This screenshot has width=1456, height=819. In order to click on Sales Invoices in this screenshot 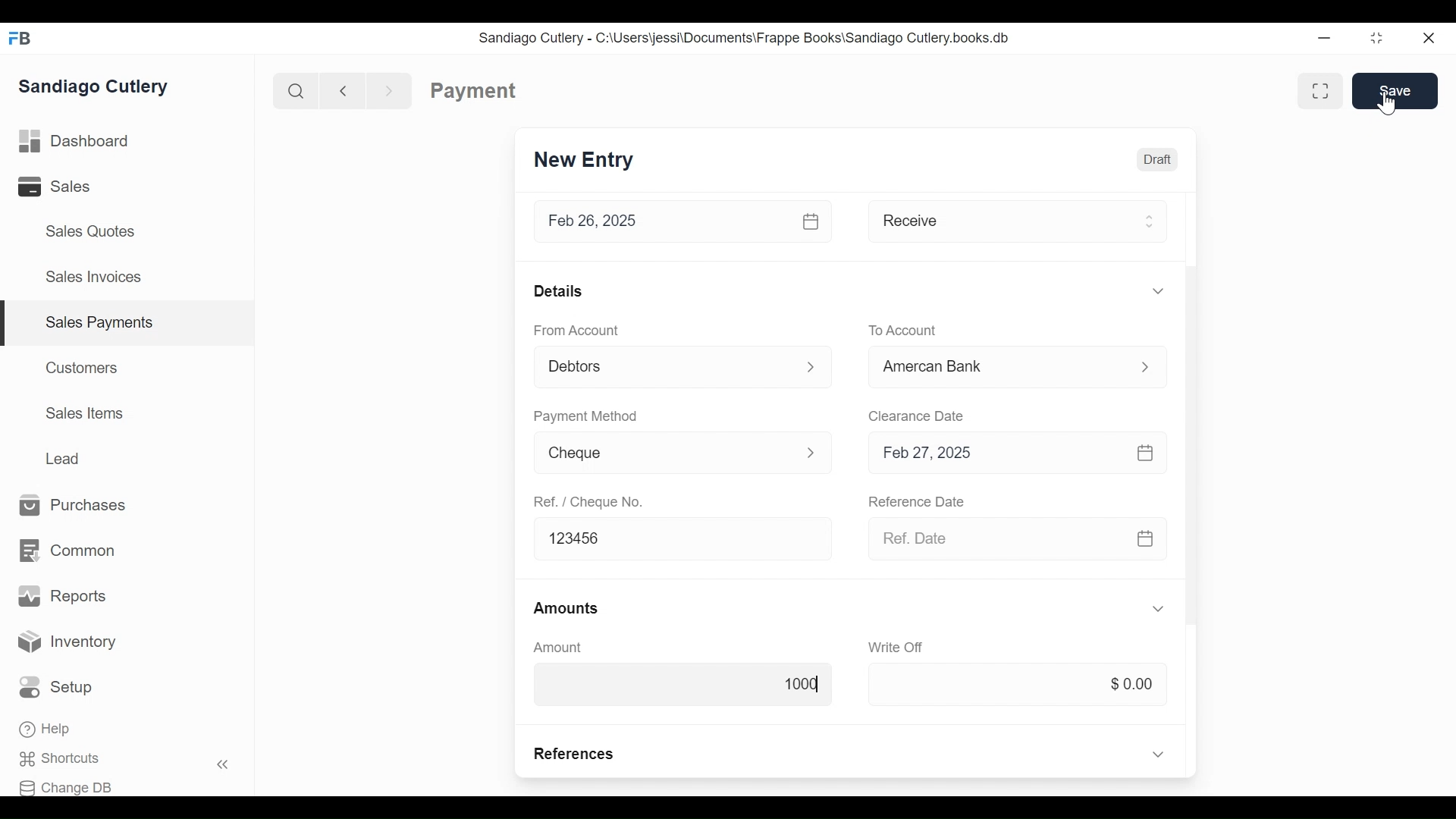, I will do `click(93, 278)`.